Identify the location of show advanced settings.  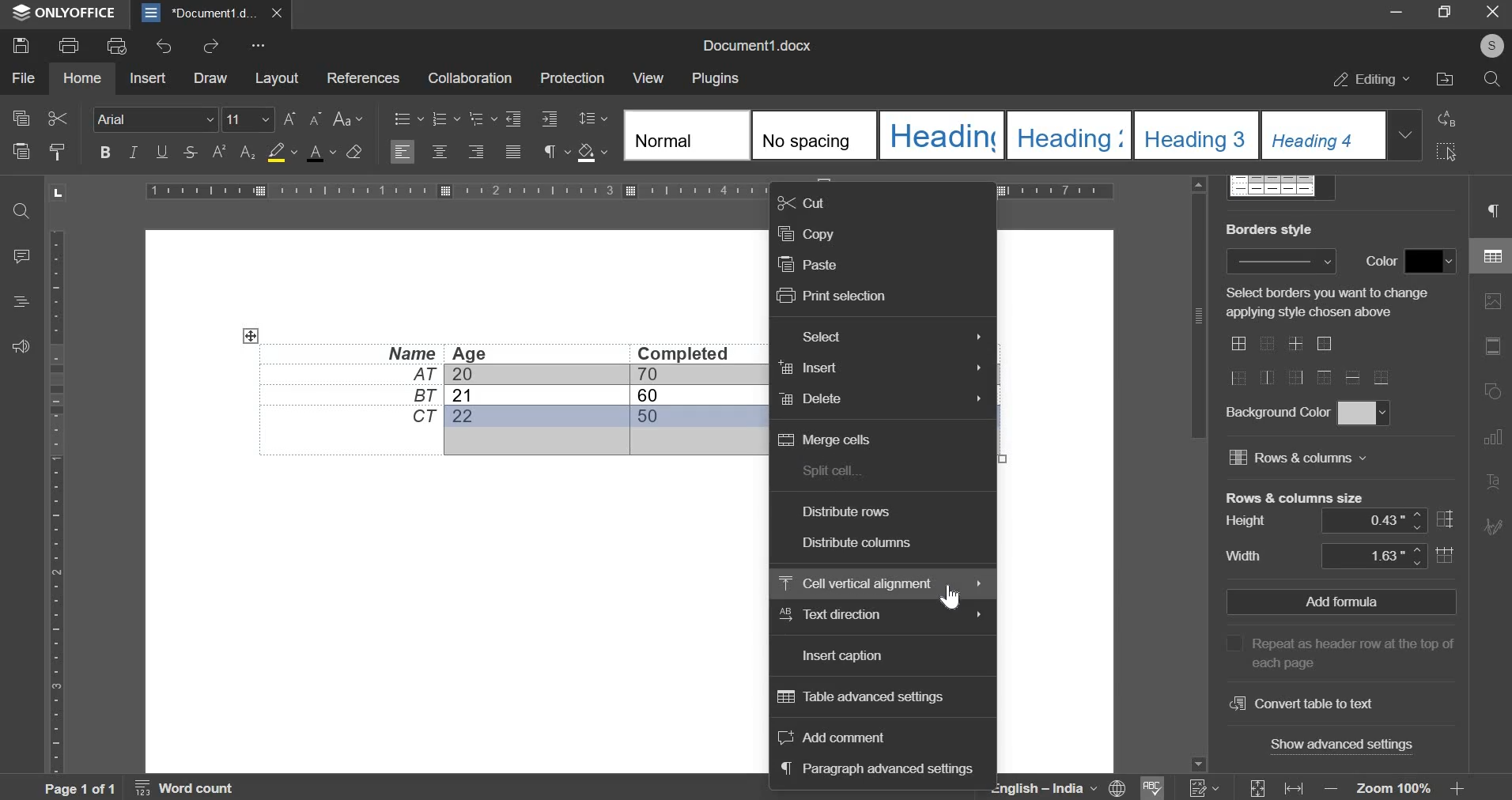
(1339, 745).